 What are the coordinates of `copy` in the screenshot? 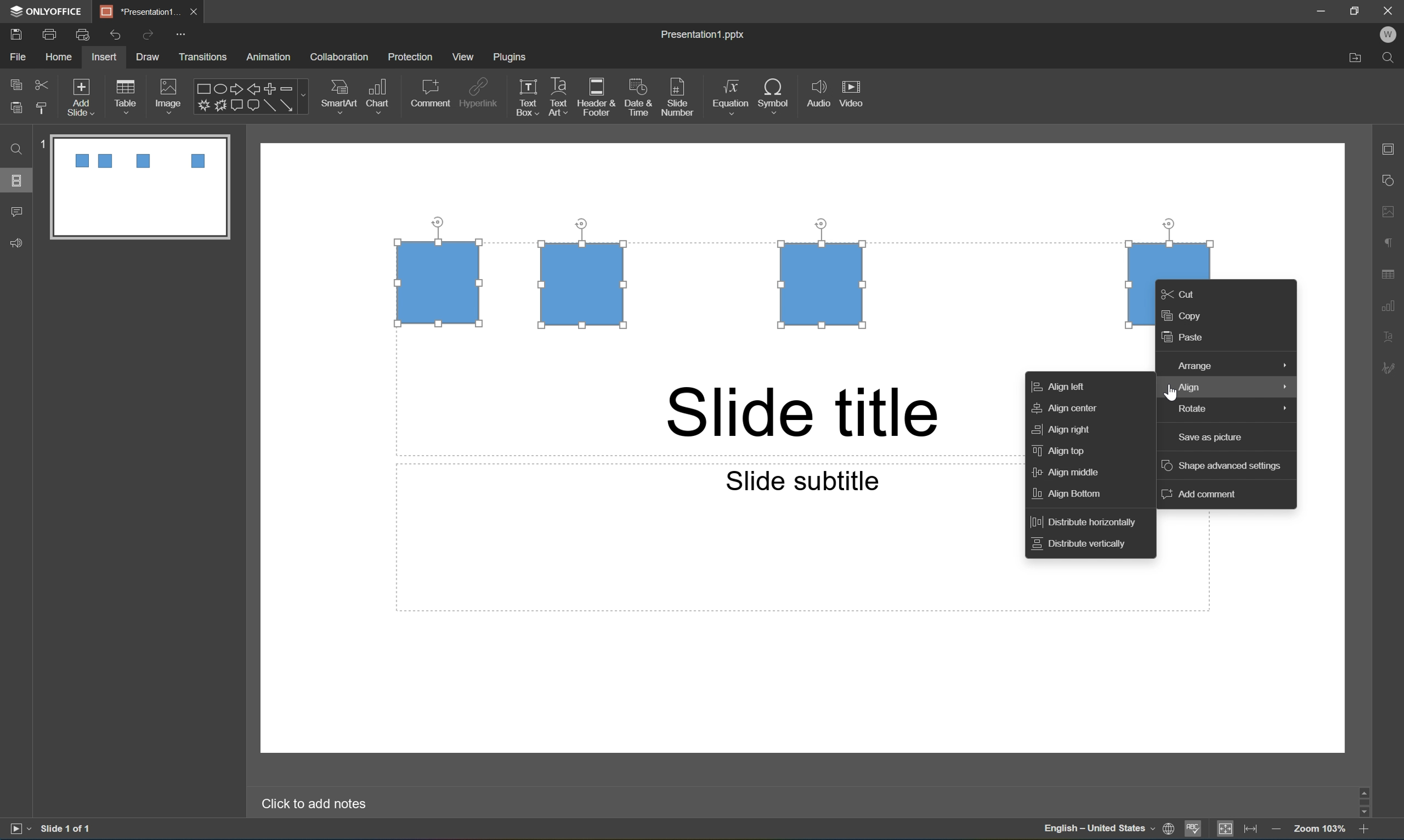 It's located at (1188, 316).